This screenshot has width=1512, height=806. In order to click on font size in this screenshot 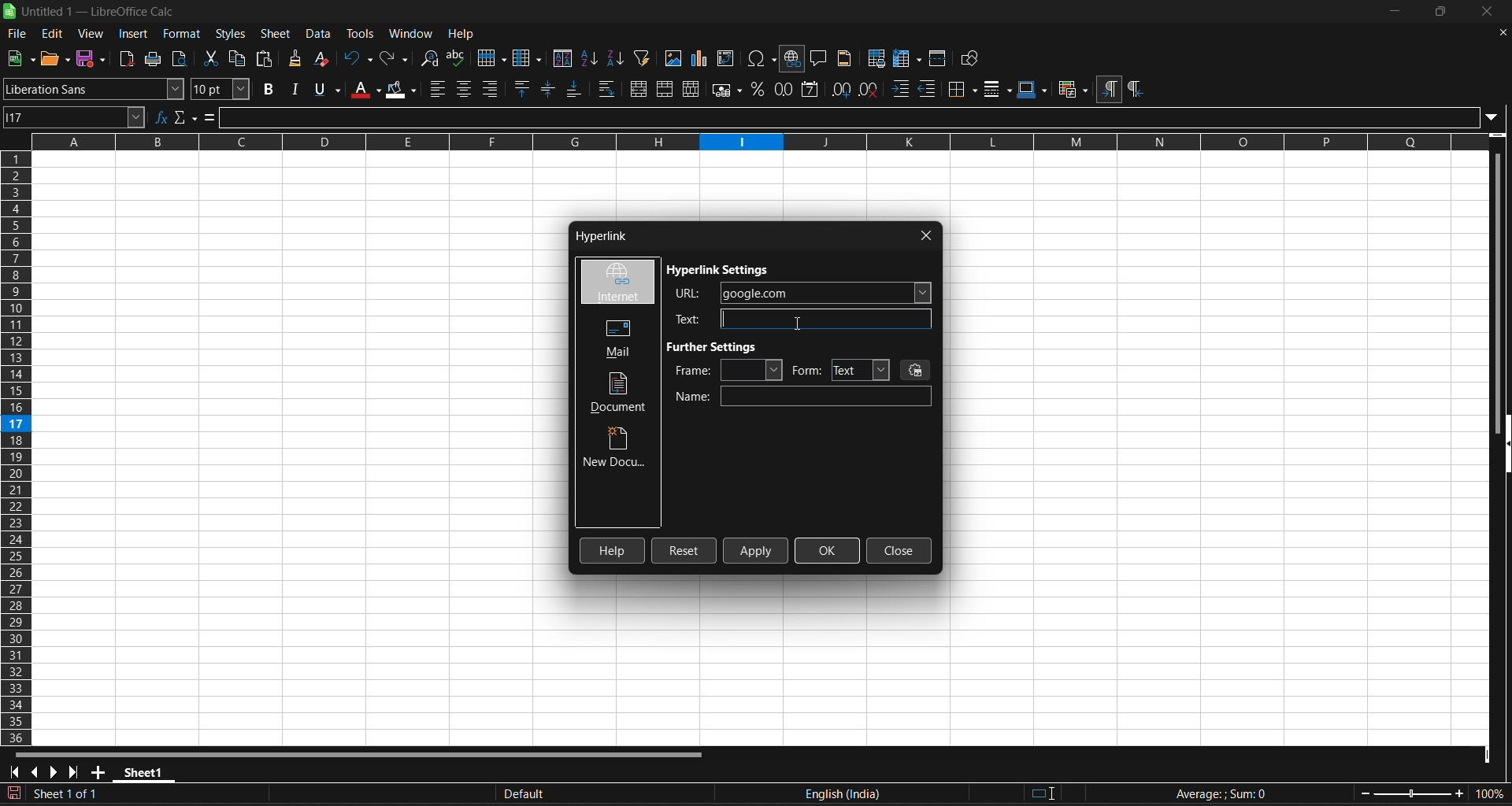, I will do `click(222, 89)`.